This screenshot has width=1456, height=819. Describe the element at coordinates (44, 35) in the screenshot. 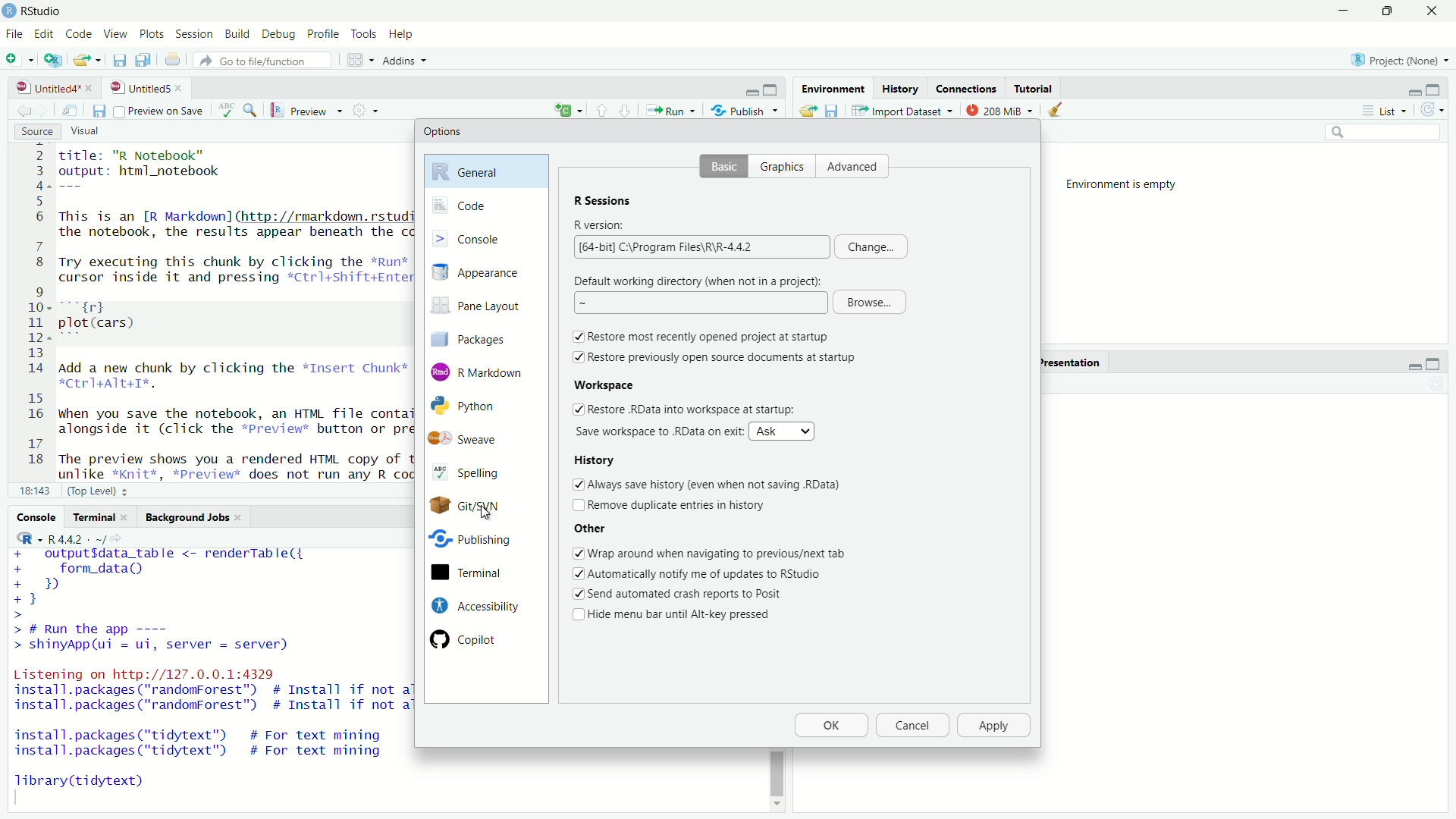

I see `Edit` at that location.